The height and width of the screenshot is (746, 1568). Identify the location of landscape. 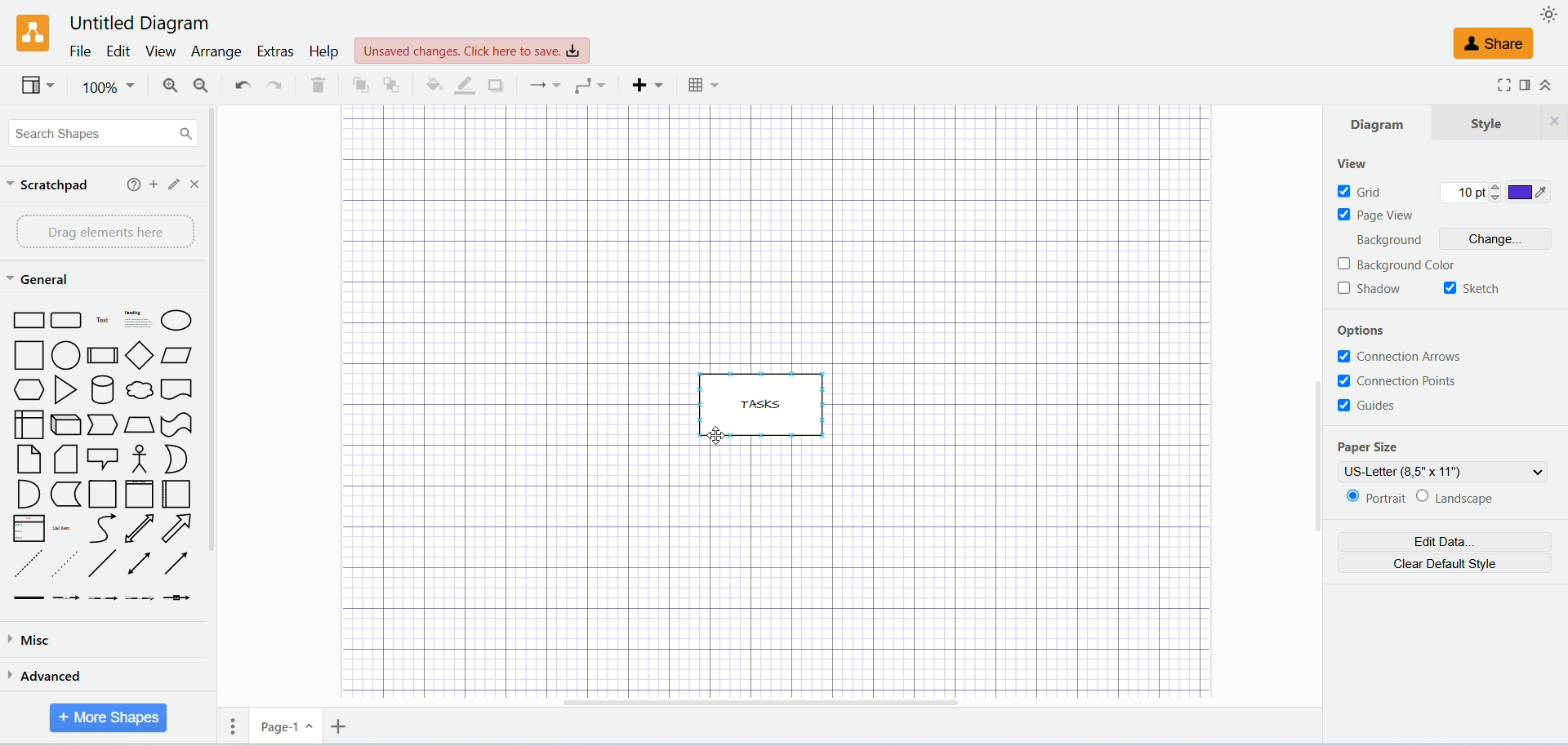
(1474, 497).